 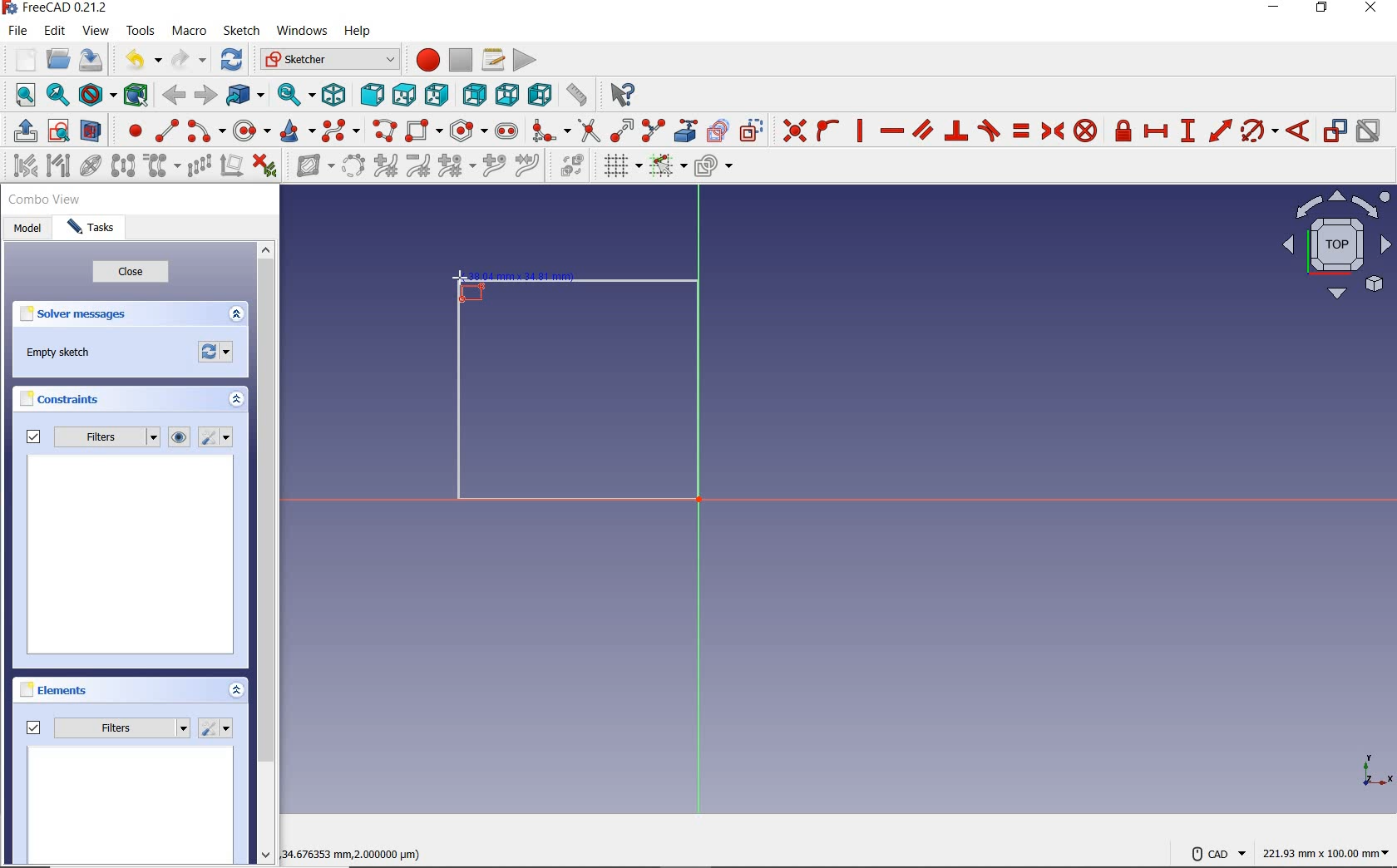 I want to click on rear, so click(x=474, y=95).